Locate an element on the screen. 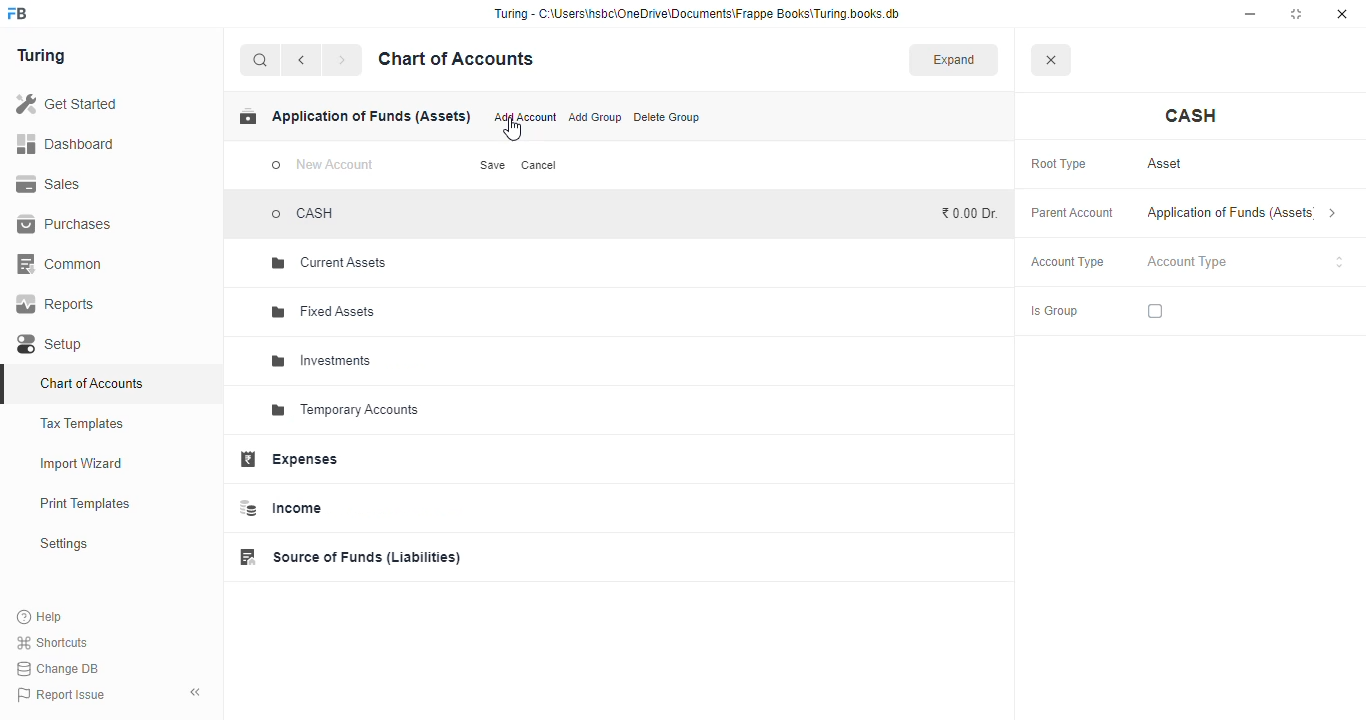 This screenshot has width=1366, height=720. minimize is located at coordinates (1250, 14).